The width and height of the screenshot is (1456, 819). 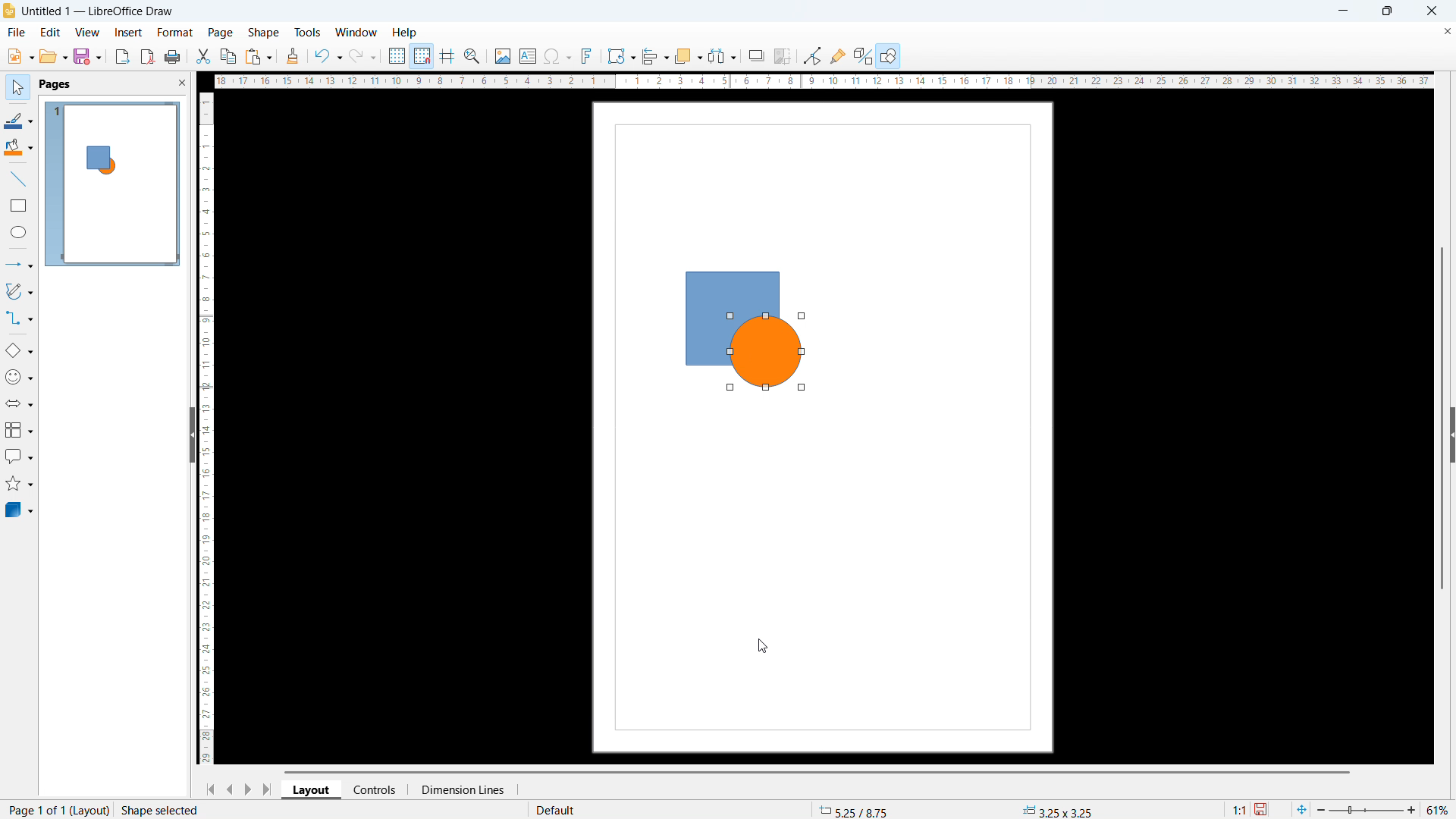 I want to click on Close document , so click(x=1447, y=31).